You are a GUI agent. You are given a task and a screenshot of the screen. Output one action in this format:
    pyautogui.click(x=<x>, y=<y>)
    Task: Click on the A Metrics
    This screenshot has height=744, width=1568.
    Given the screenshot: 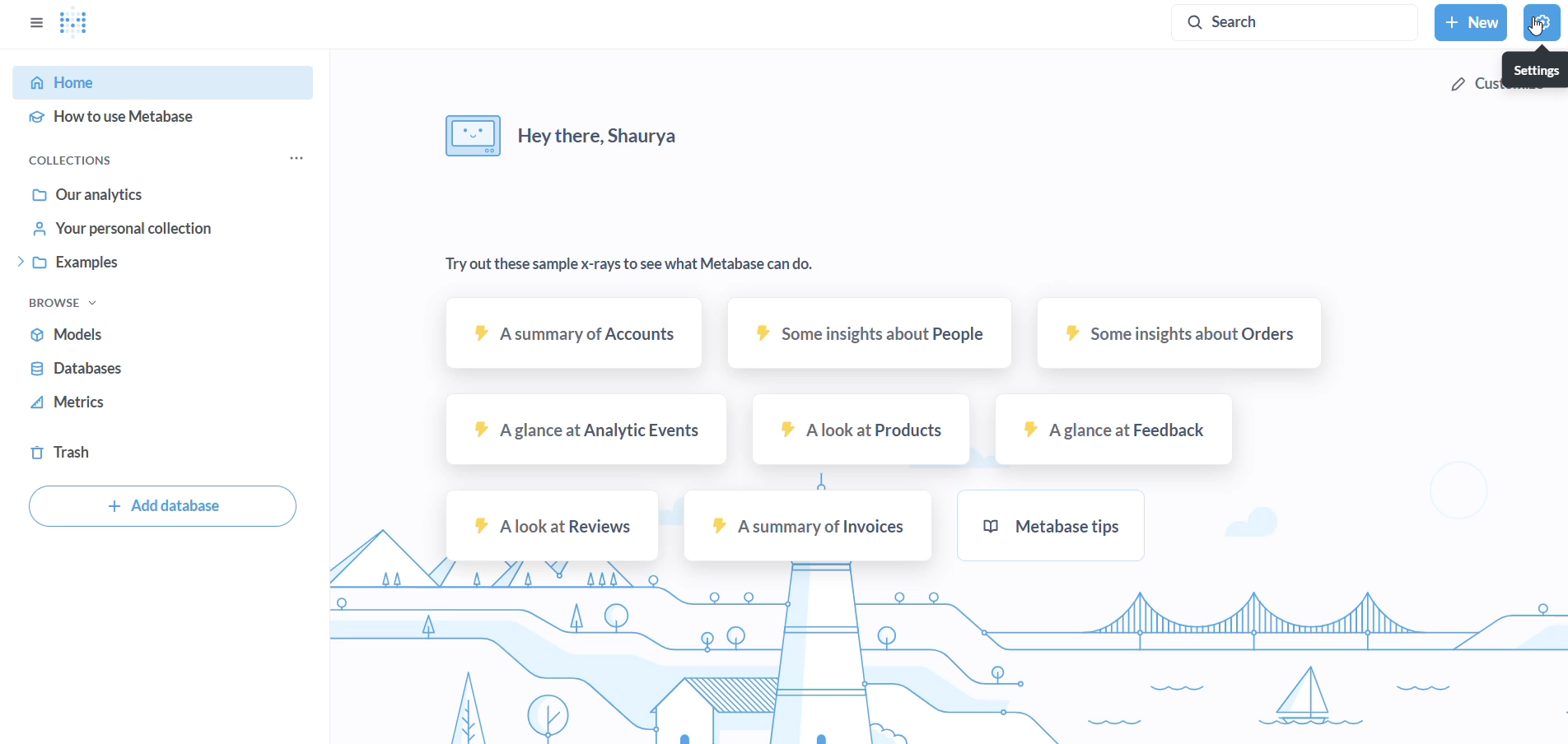 What is the action you would take?
    pyautogui.click(x=68, y=402)
    